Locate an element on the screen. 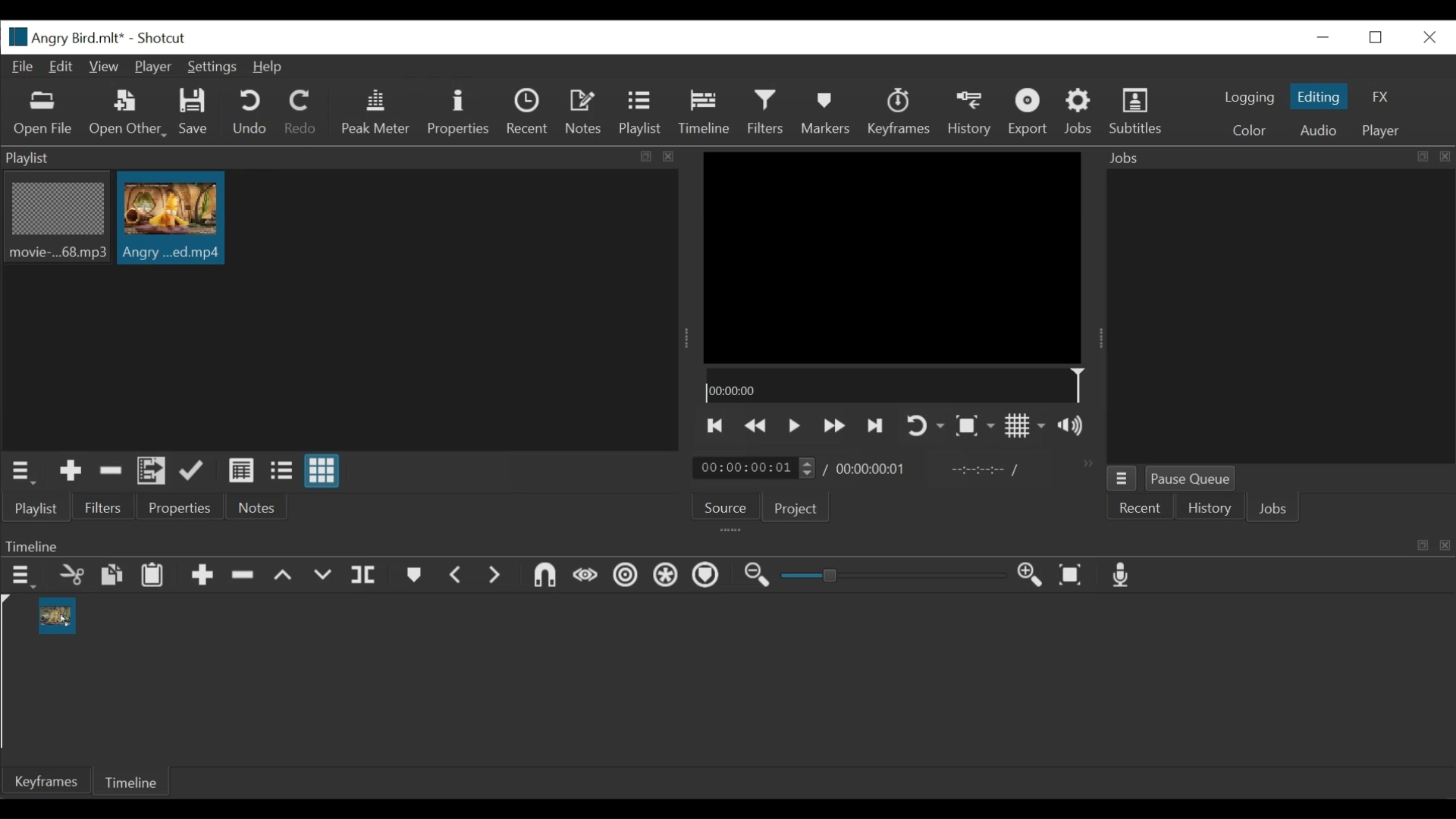 This screenshot has height=819, width=1456. Pause Queue is located at coordinates (1191, 477).